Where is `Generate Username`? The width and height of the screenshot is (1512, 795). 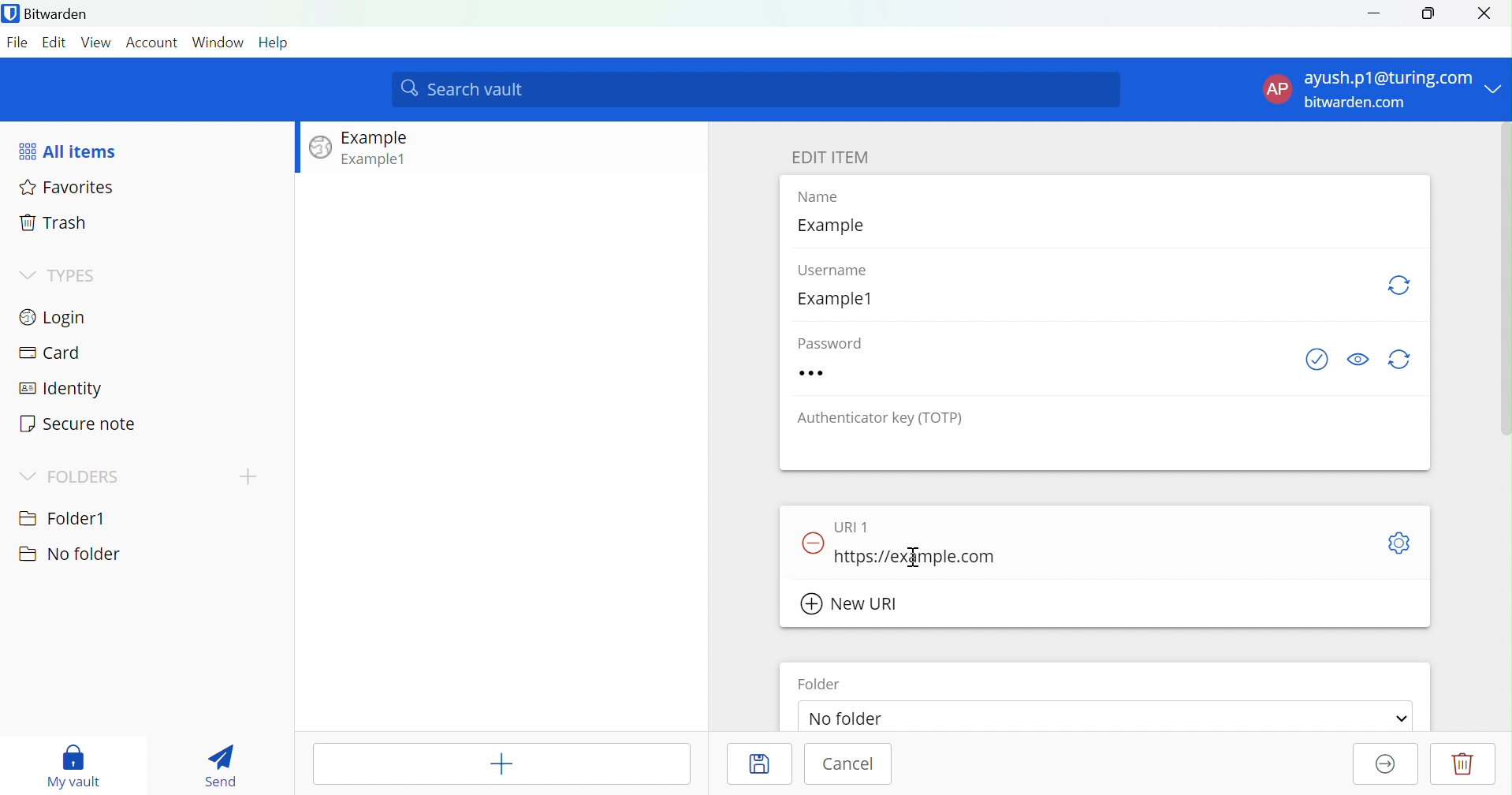
Generate Username is located at coordinates (1402, 286).